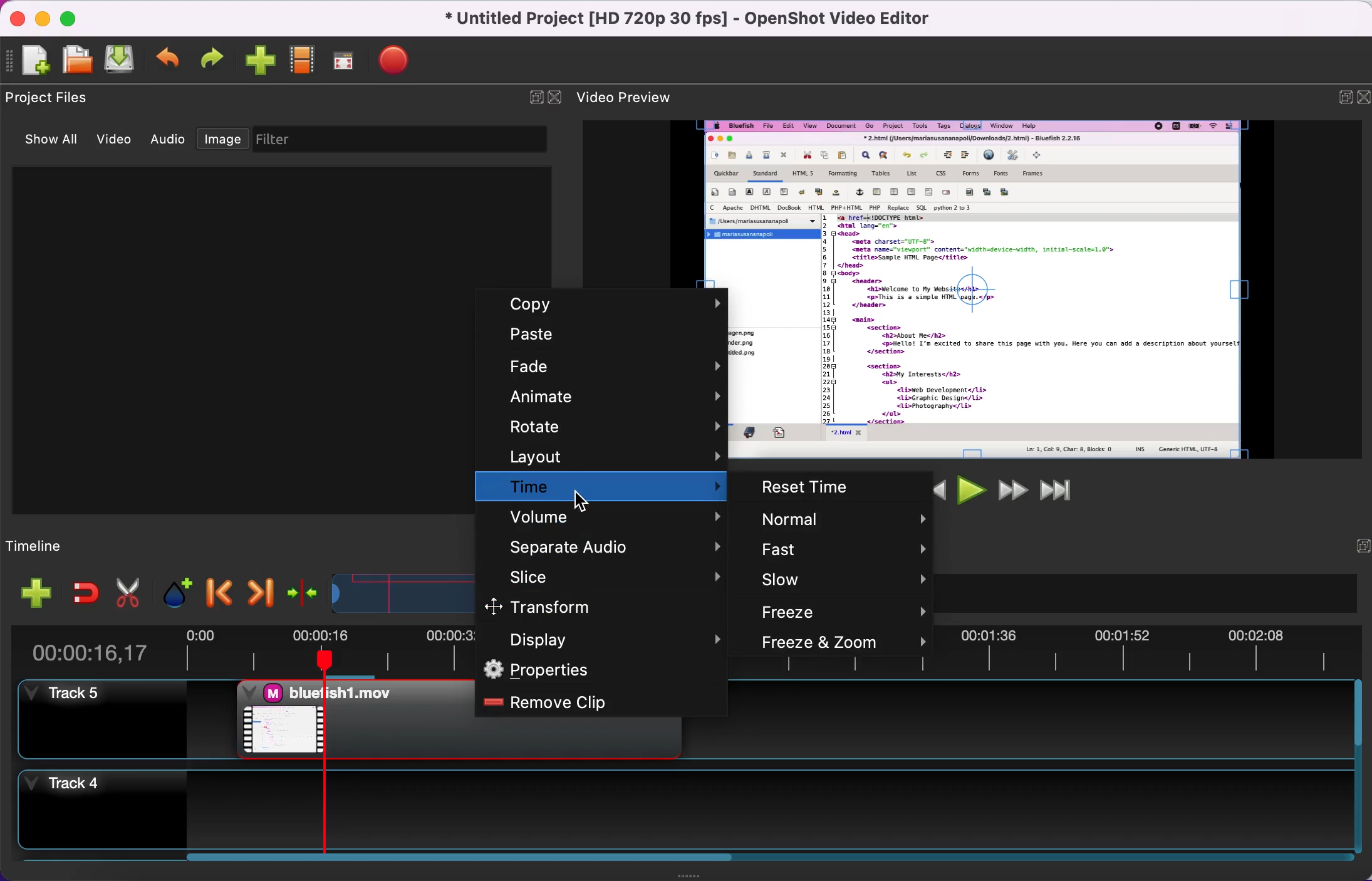 Image resolution: width=1372 pixels, height=881 pixels. Describe the element at coordinates (589, 607) in the screenshot. I see `transform` at that location.